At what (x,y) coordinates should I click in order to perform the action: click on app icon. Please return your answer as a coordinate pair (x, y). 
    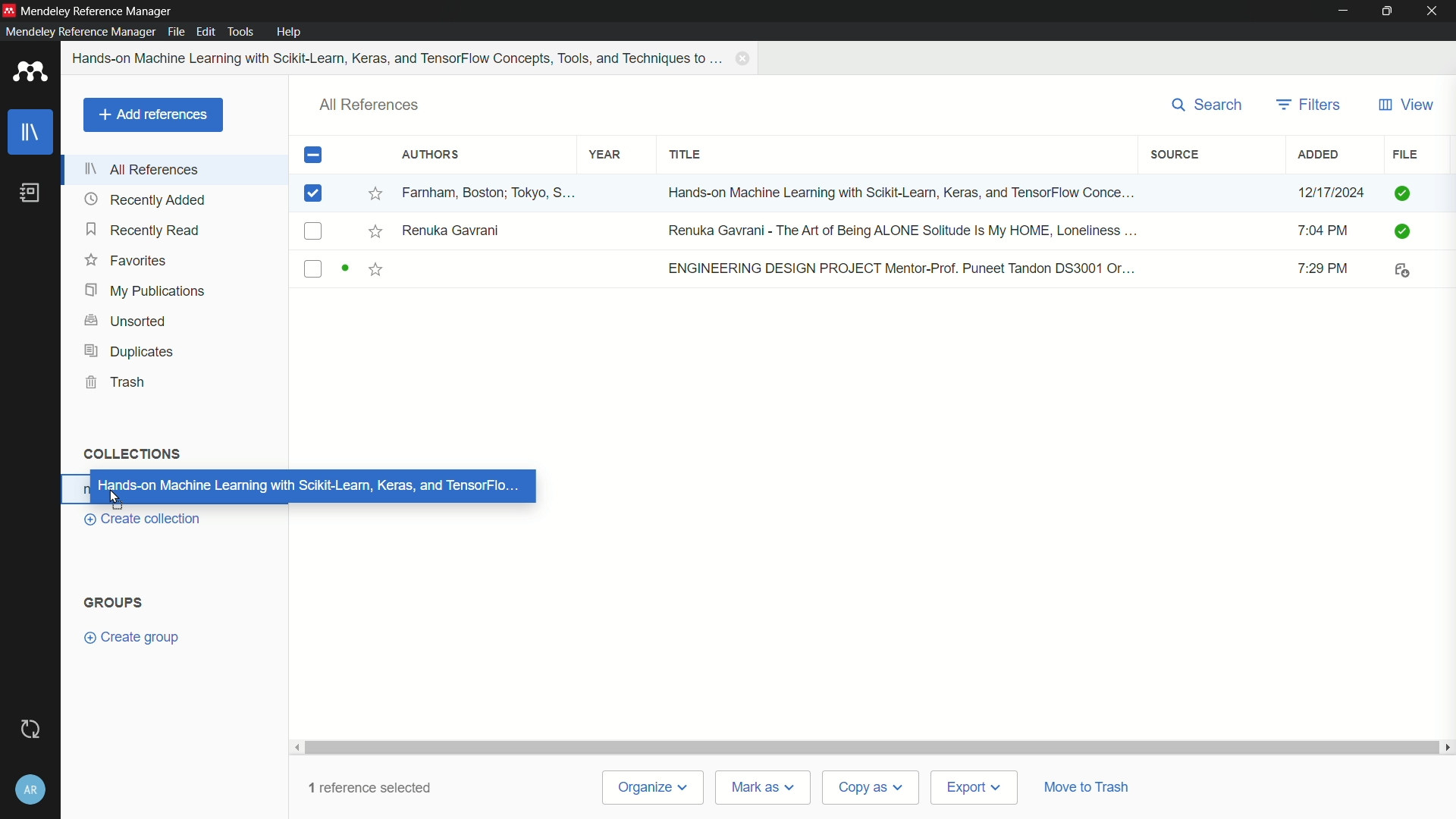
    Looking at the image, I should click on (9, 11).